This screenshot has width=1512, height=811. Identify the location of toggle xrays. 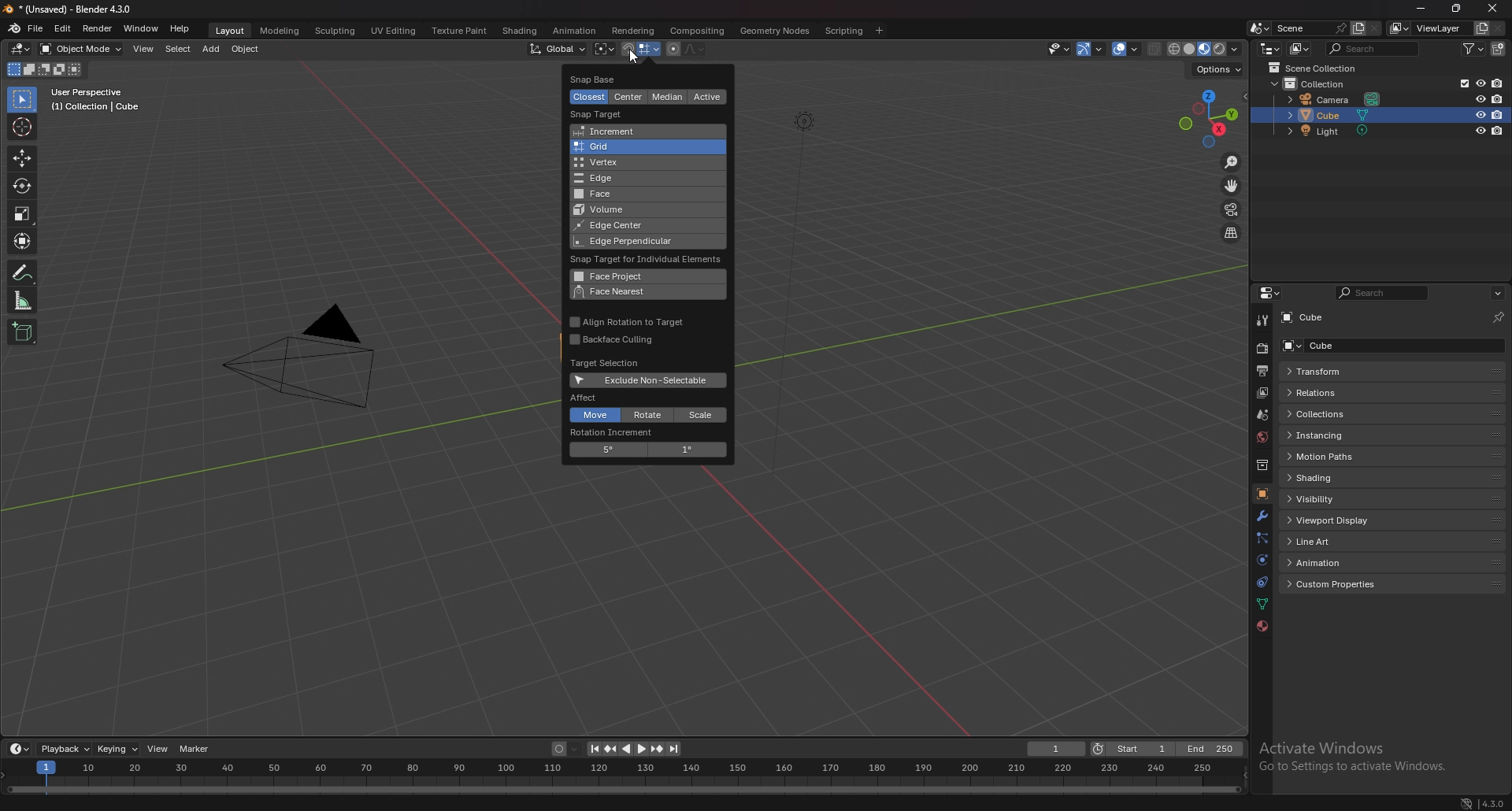
(1155, 49).